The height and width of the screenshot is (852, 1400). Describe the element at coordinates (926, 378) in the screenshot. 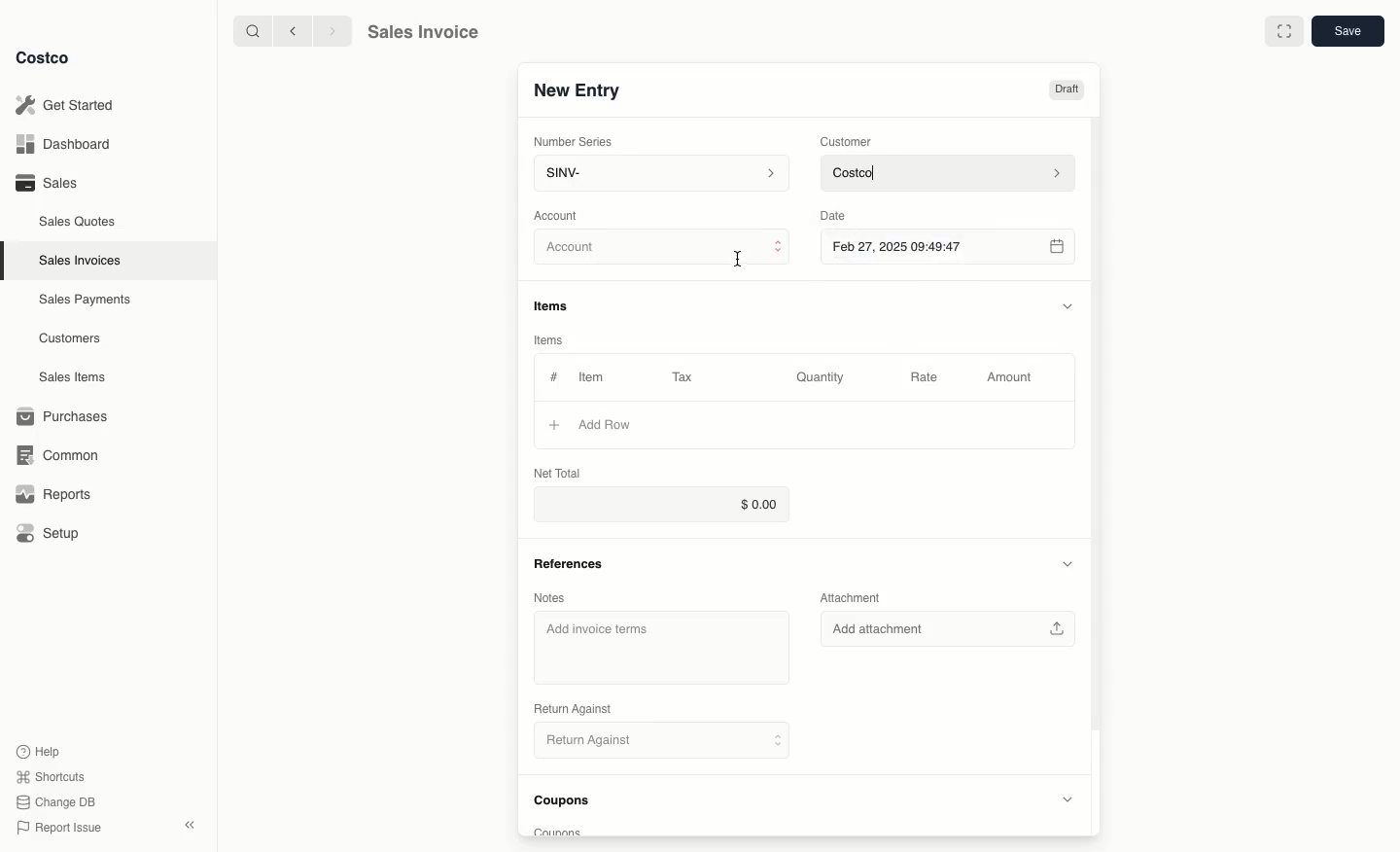

I see `Rate` at that location.